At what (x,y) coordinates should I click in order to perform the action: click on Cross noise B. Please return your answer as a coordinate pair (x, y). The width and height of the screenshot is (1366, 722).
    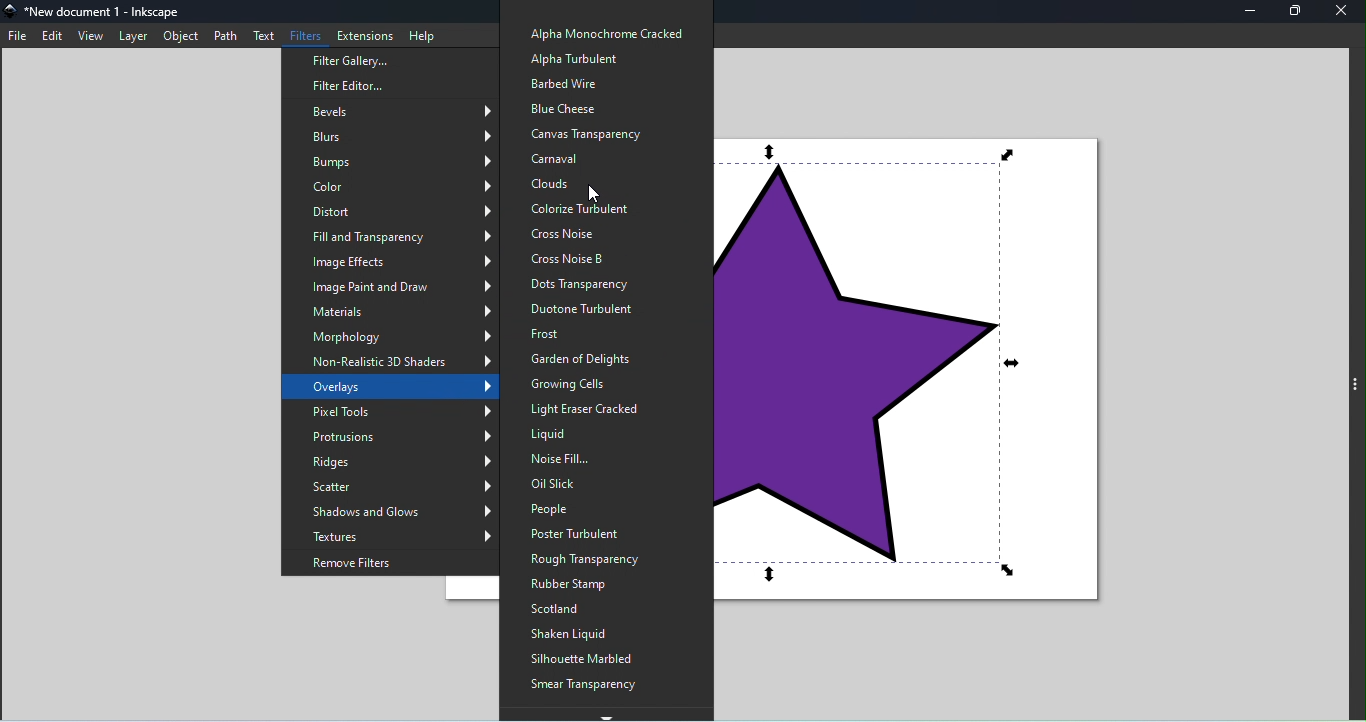
    Looking at the image, I should click on (600, 259).